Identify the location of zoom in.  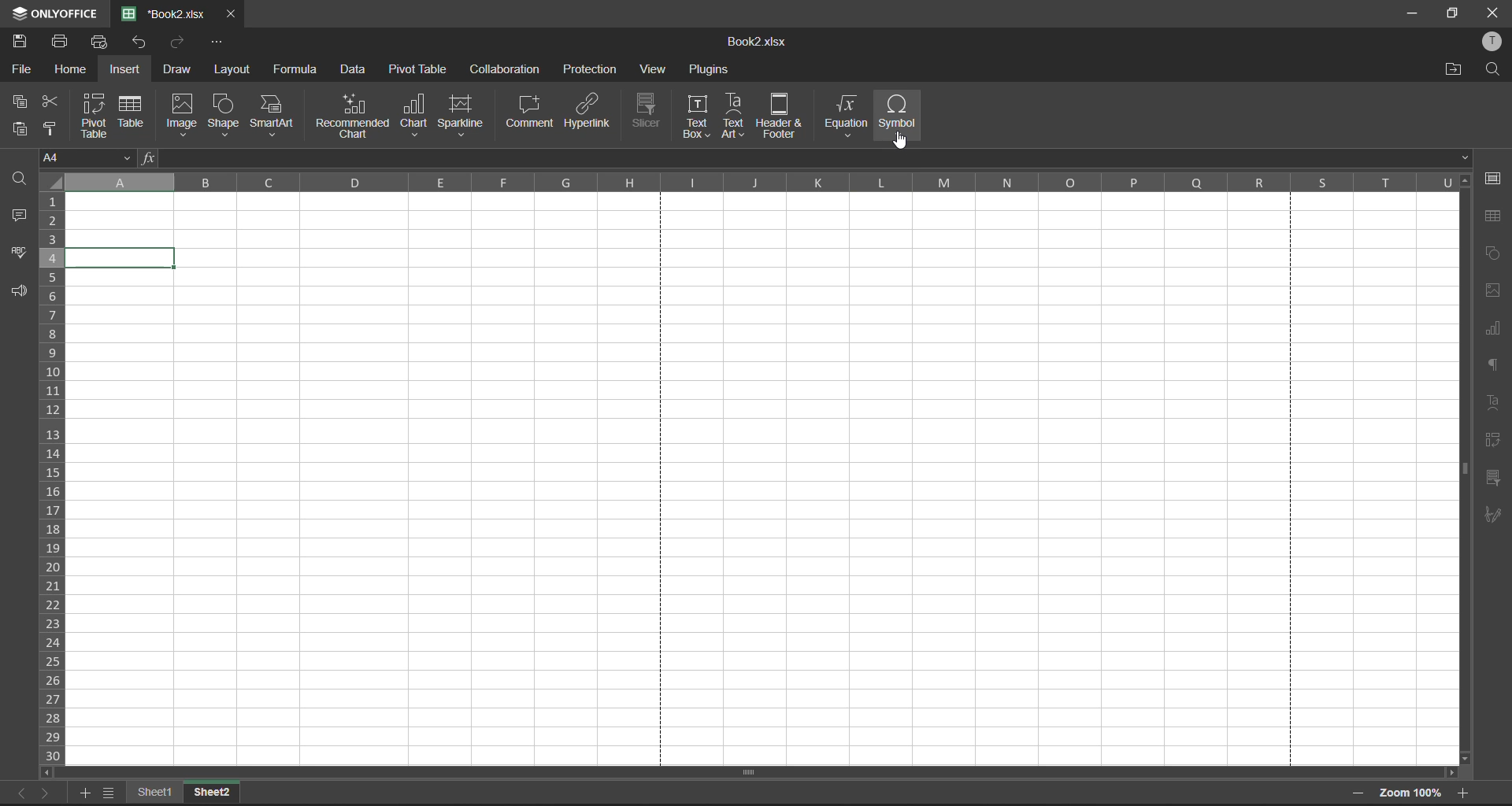
(1464, 790).